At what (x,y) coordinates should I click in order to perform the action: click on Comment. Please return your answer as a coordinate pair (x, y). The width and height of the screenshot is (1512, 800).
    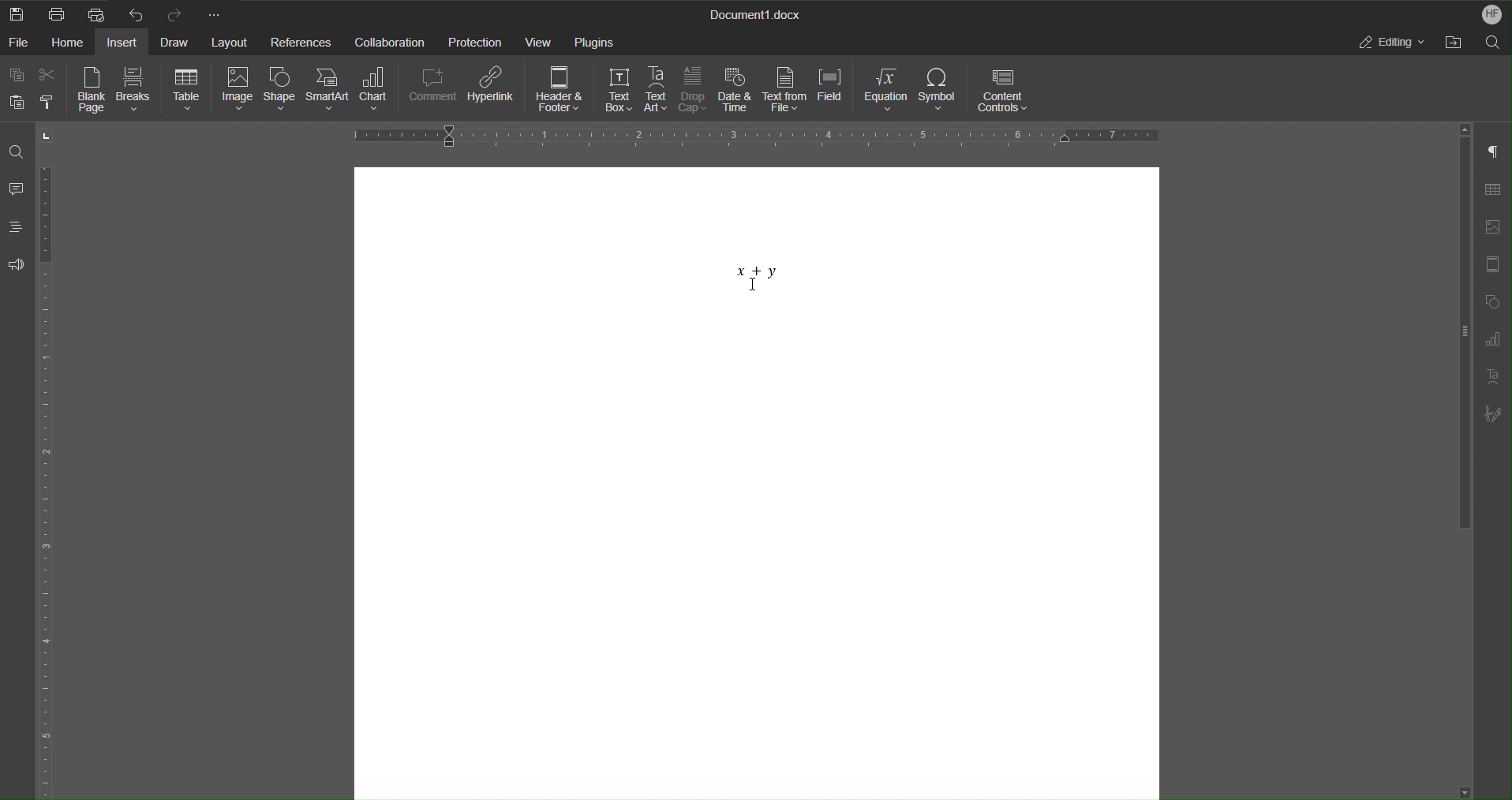
    Looking at the image, I should click on (431, 91).